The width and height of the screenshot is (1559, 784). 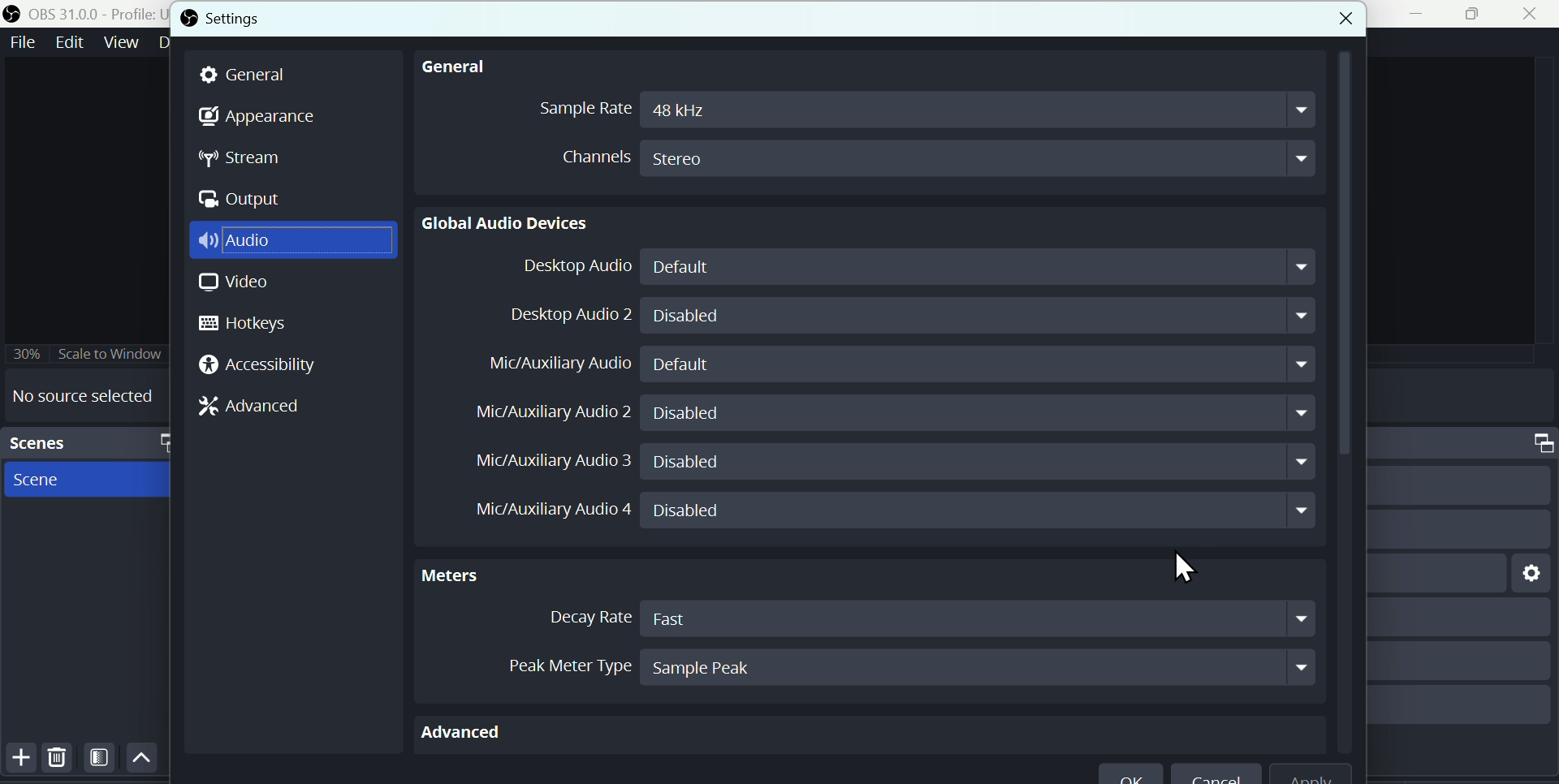 What do you see at coordinates (252, 75) in the screenshot?
I see `general` at bounding box center [252, 75].